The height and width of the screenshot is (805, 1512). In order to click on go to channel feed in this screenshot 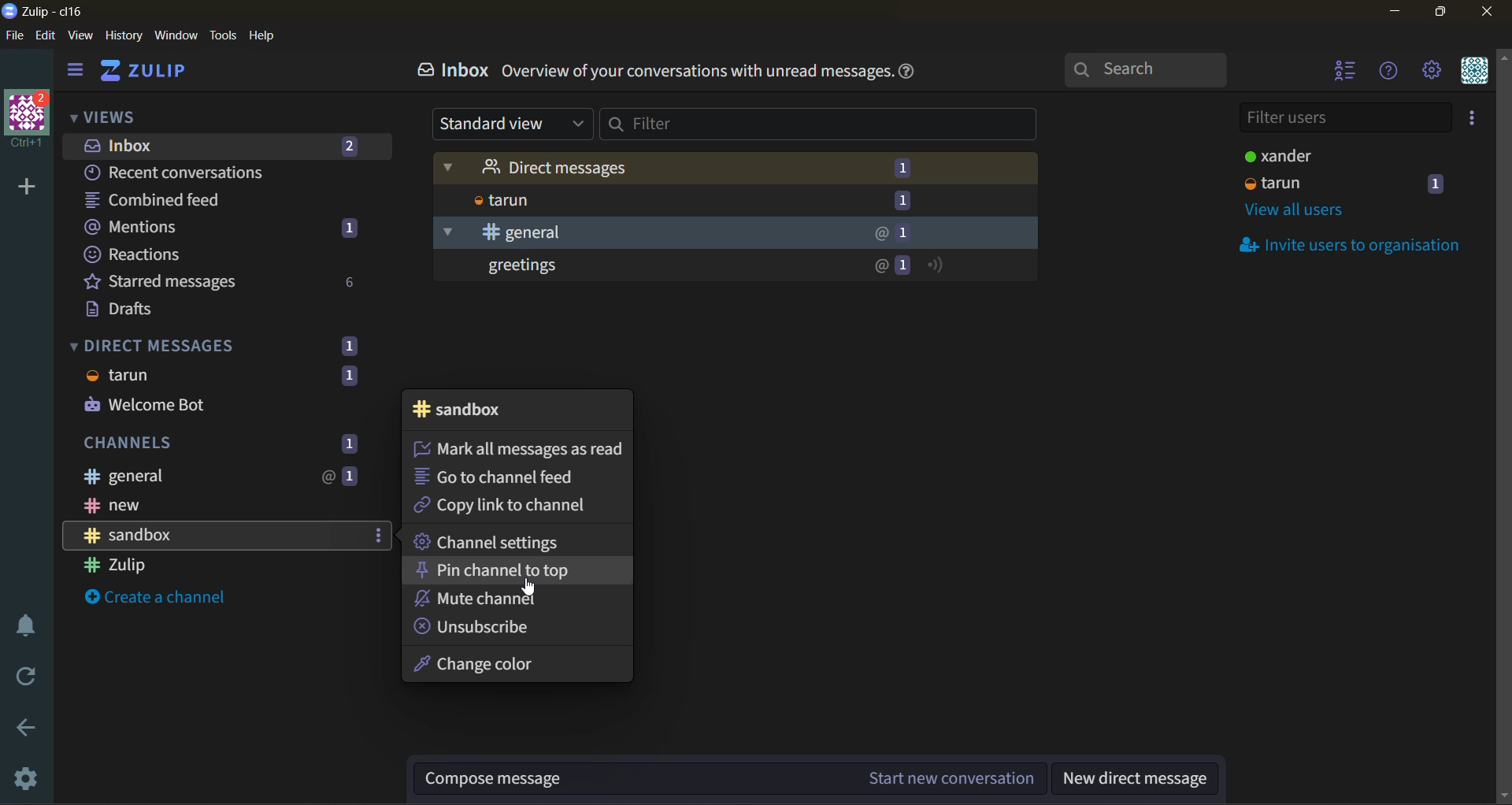, I will do `click(511, 476)`.